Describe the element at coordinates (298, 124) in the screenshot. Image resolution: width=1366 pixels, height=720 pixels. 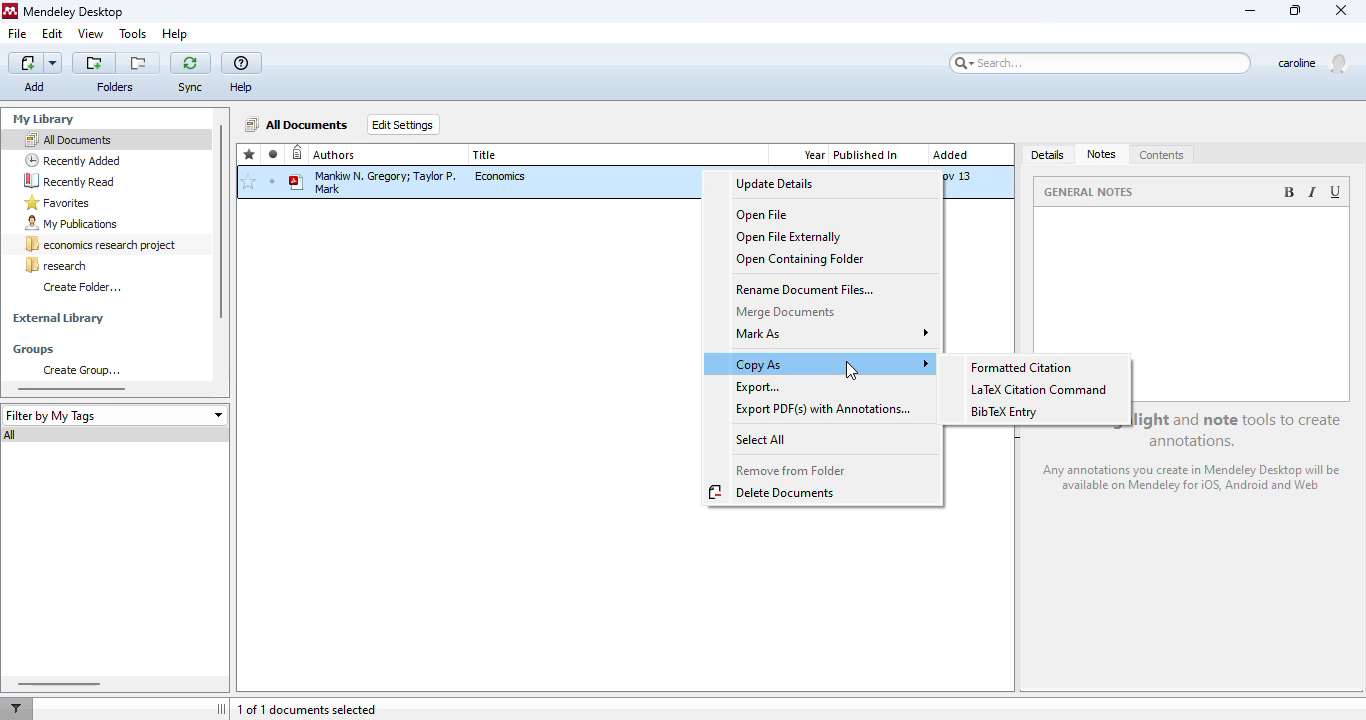
I see `all documents` at that location.